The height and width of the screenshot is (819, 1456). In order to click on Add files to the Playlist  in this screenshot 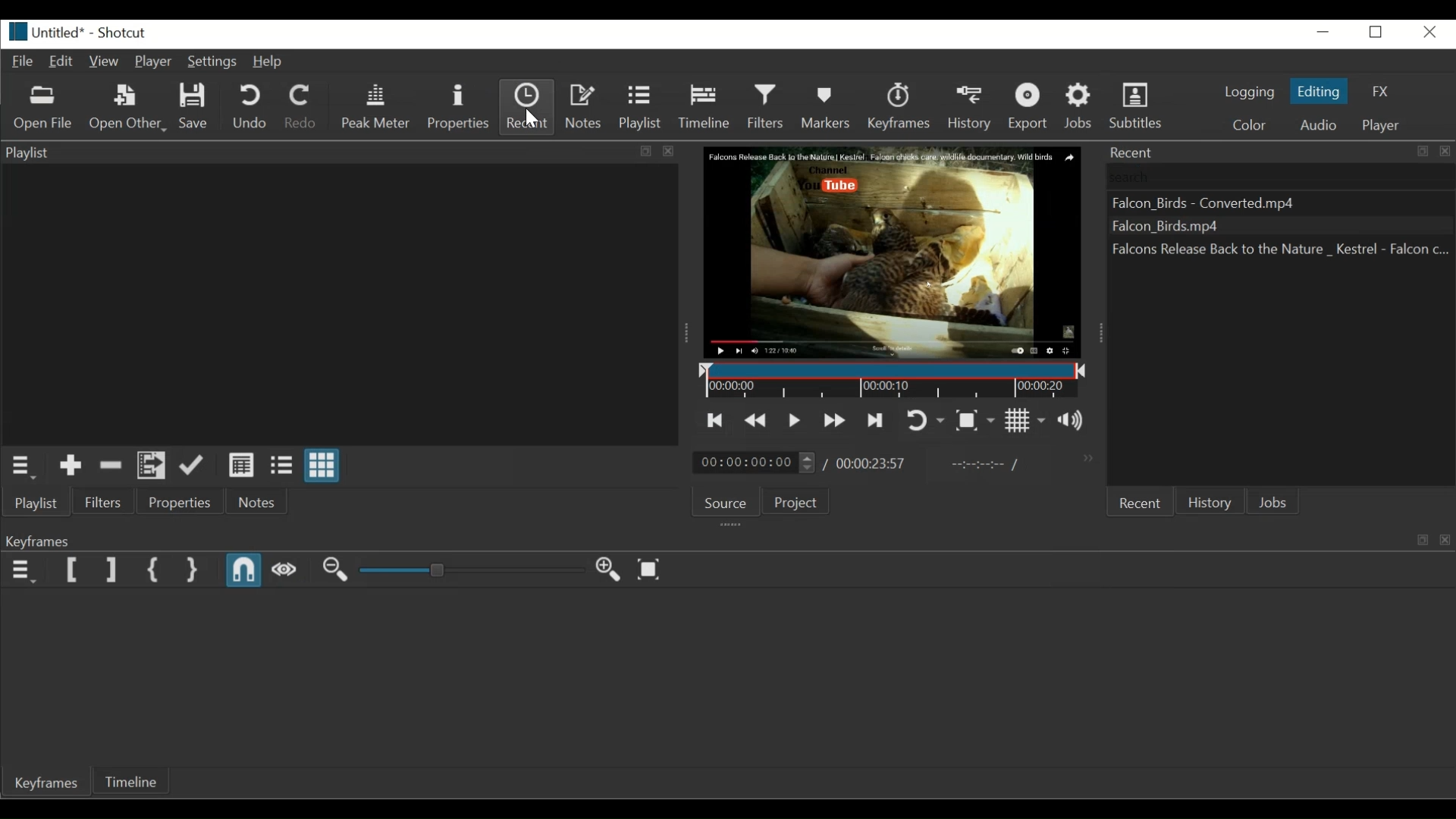, I will do `click(152, 466)`.